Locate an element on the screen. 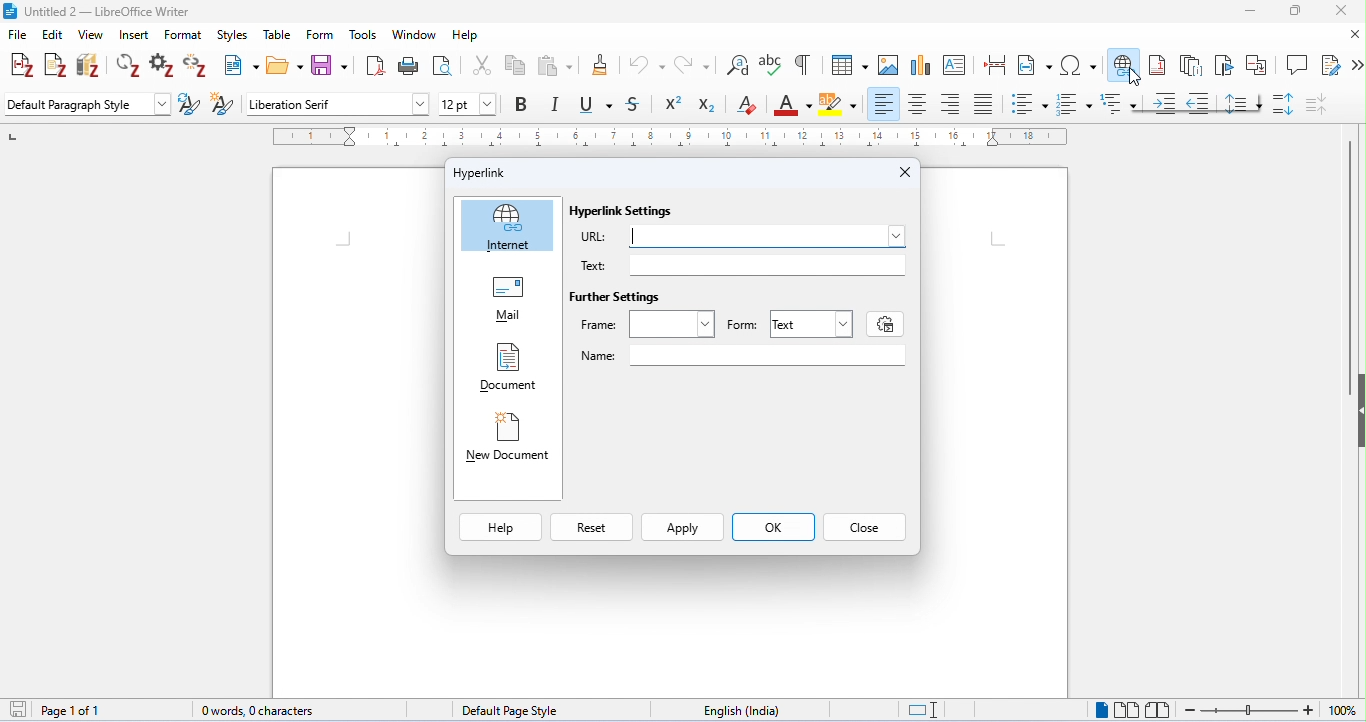 Image resolution: width=1366 pixels, height=722 pixels. language is located at coordinates (744, 710).